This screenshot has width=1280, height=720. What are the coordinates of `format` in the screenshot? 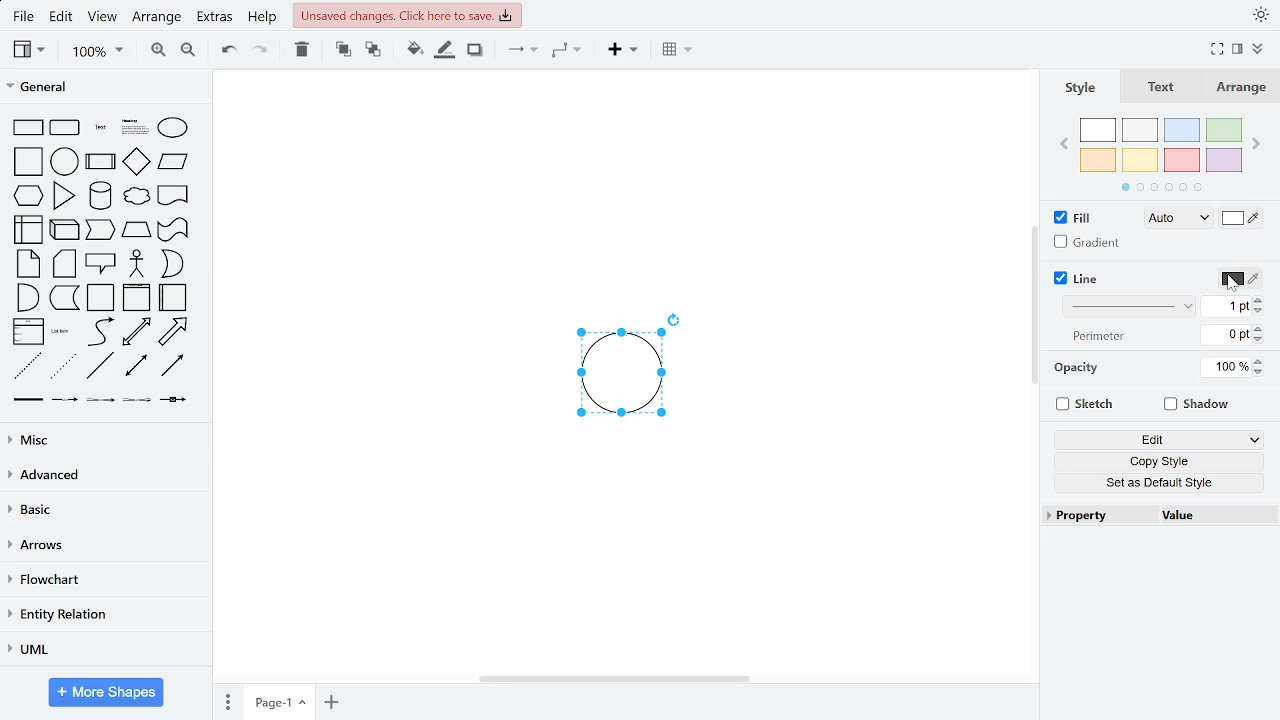 It's located at (1235, 48).